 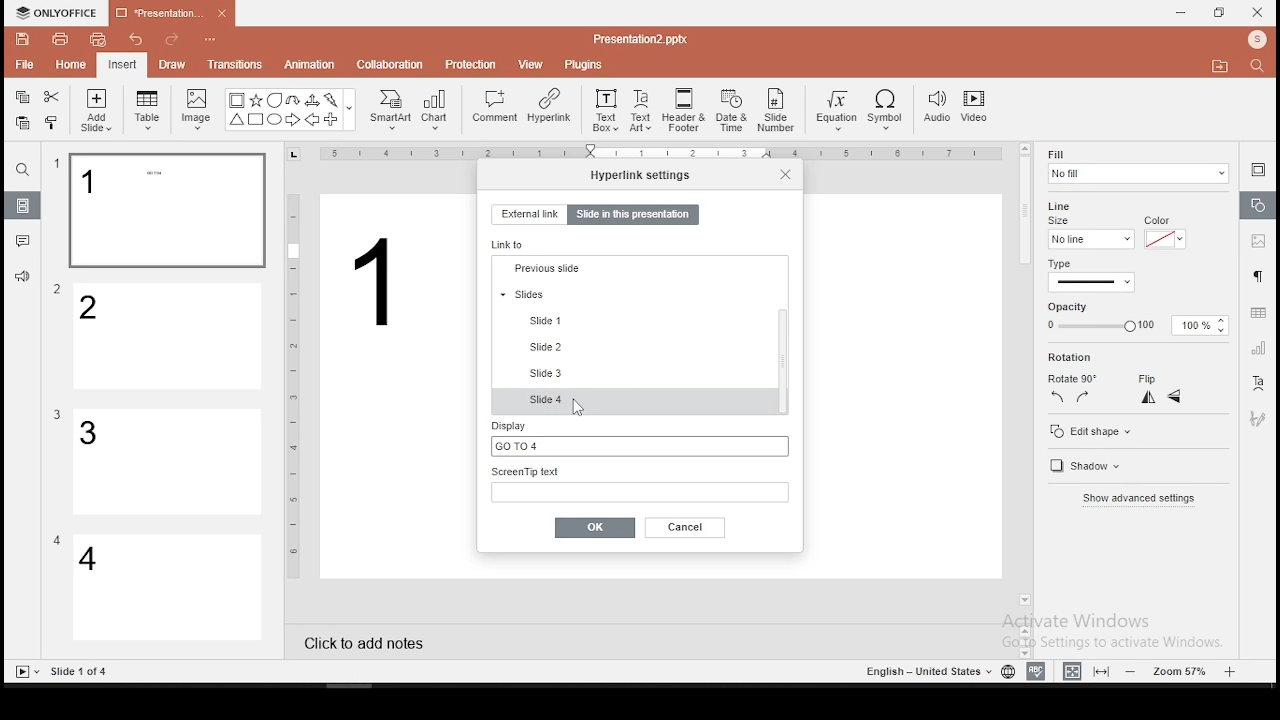 What do you see at coordinates (173, 64) in the screenshot?
I see `draw` at bounding box center [173, 64].